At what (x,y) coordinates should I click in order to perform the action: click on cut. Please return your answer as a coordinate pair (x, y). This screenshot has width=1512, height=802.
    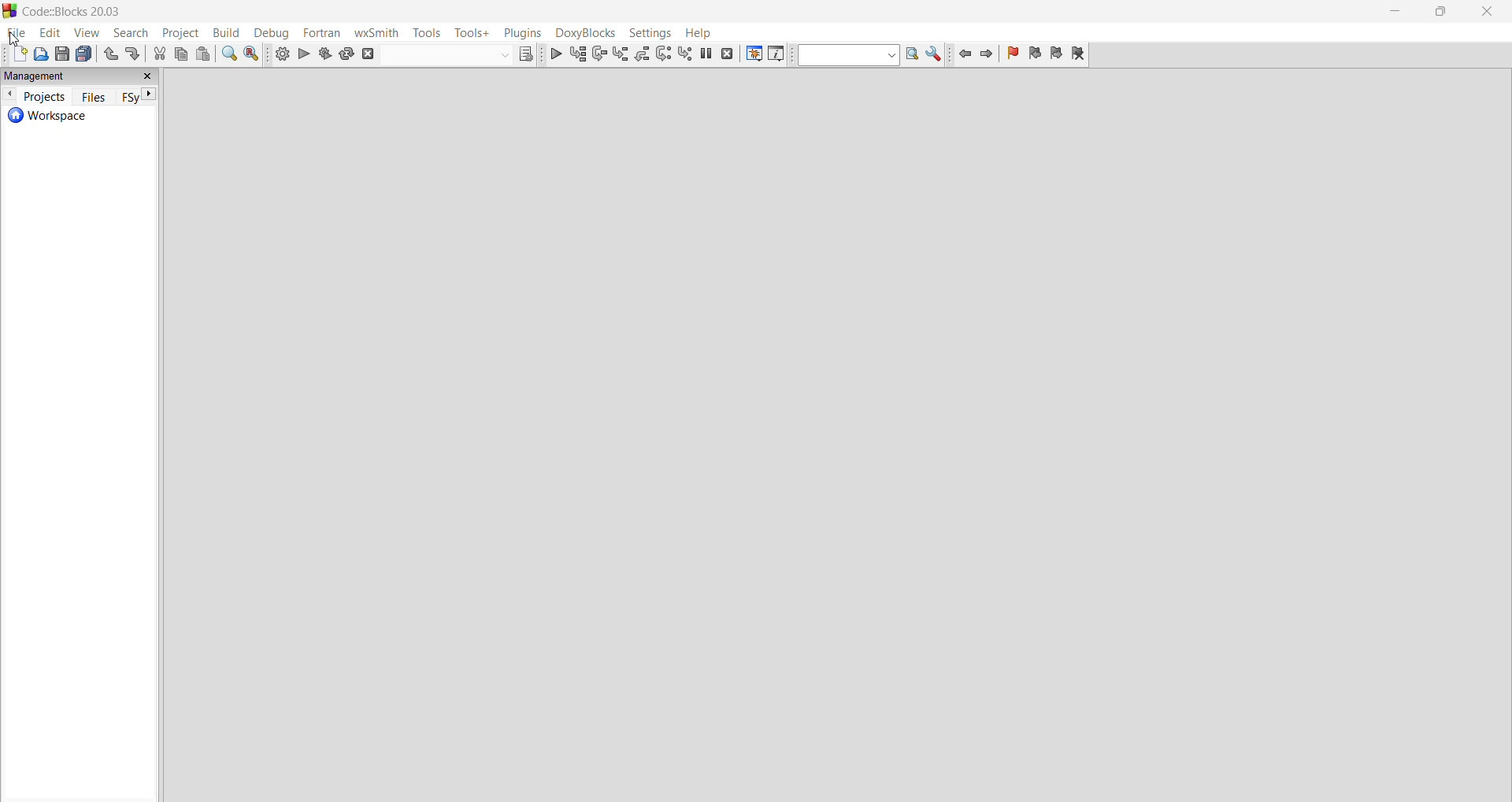
    Looking at the image, I should click on (159, 54).